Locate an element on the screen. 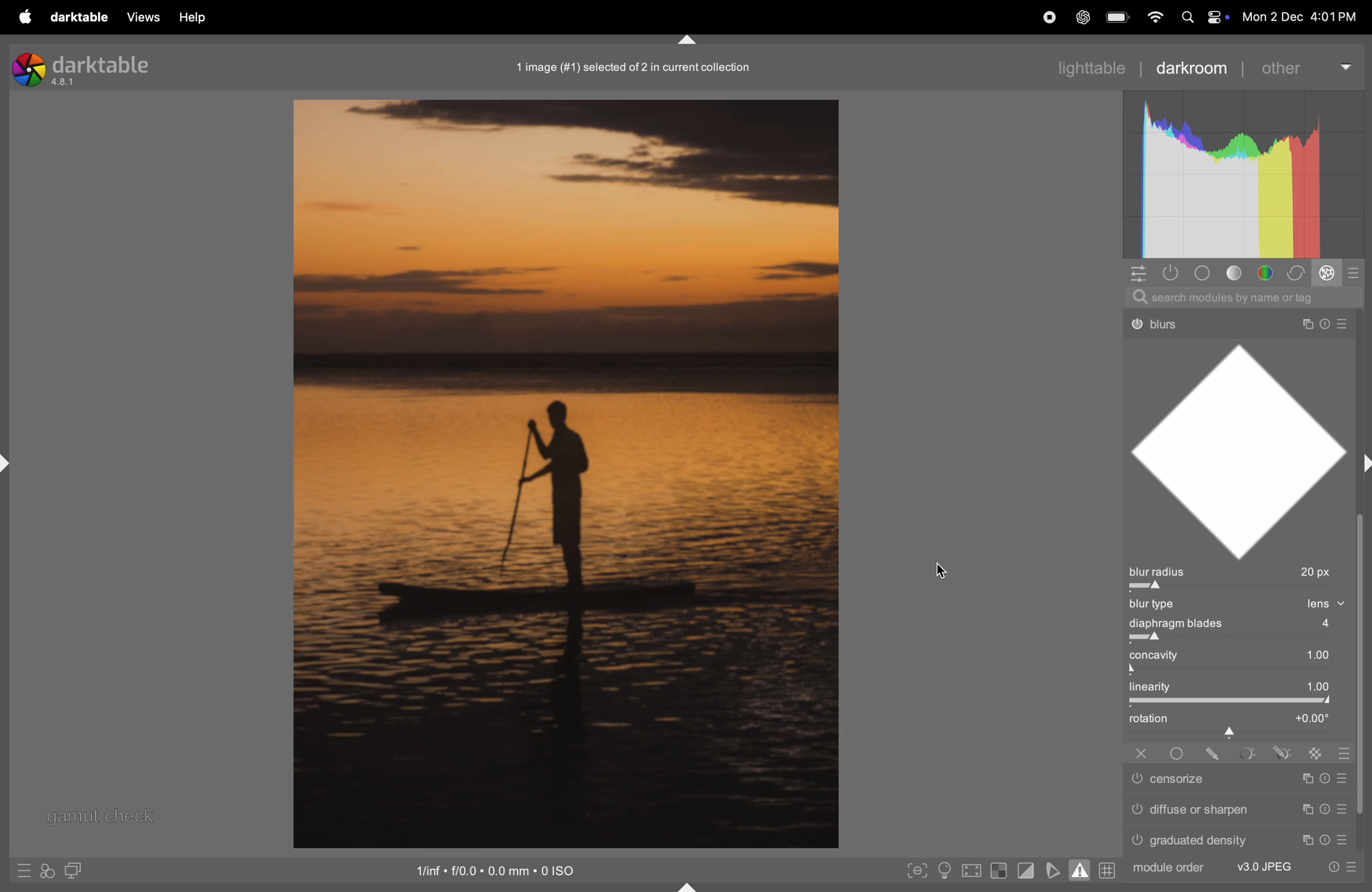  image is located at coordinates (562, 474).